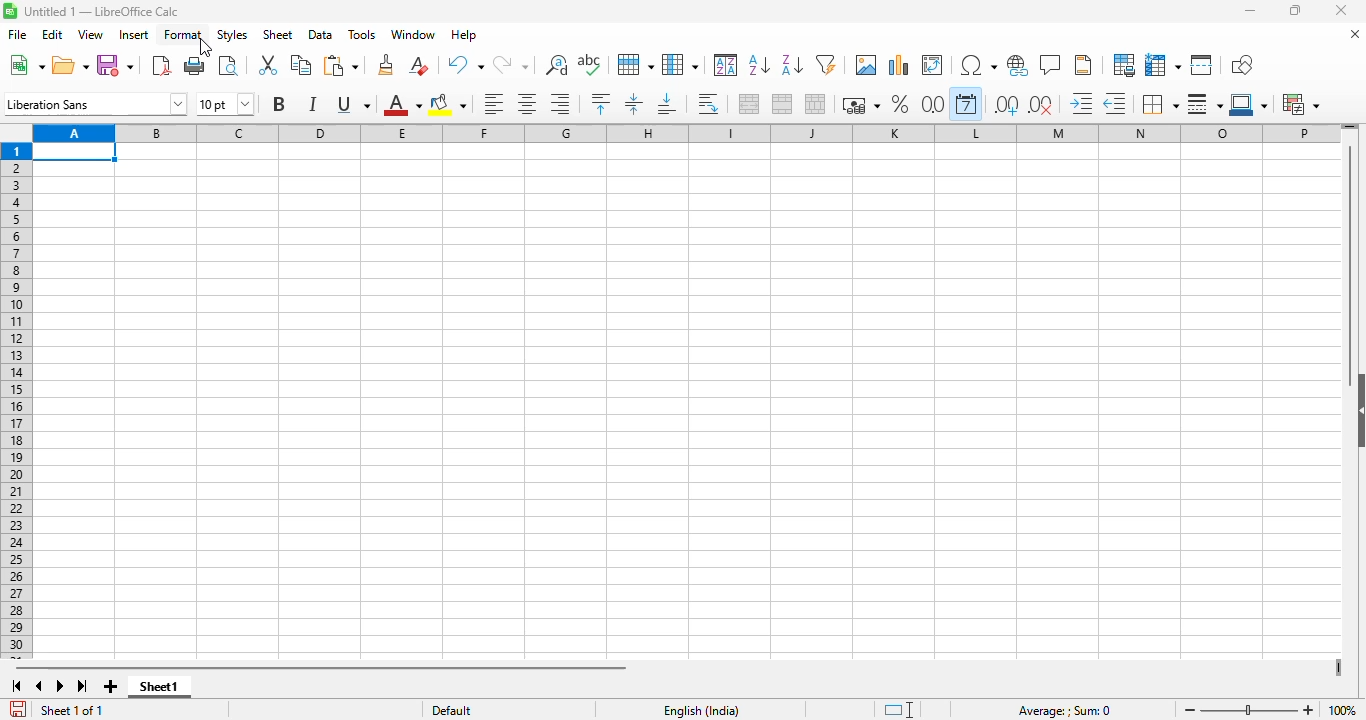 The width and height of the screenshot is (1366, 720). I want to click on format as percent, so click(901, 104).